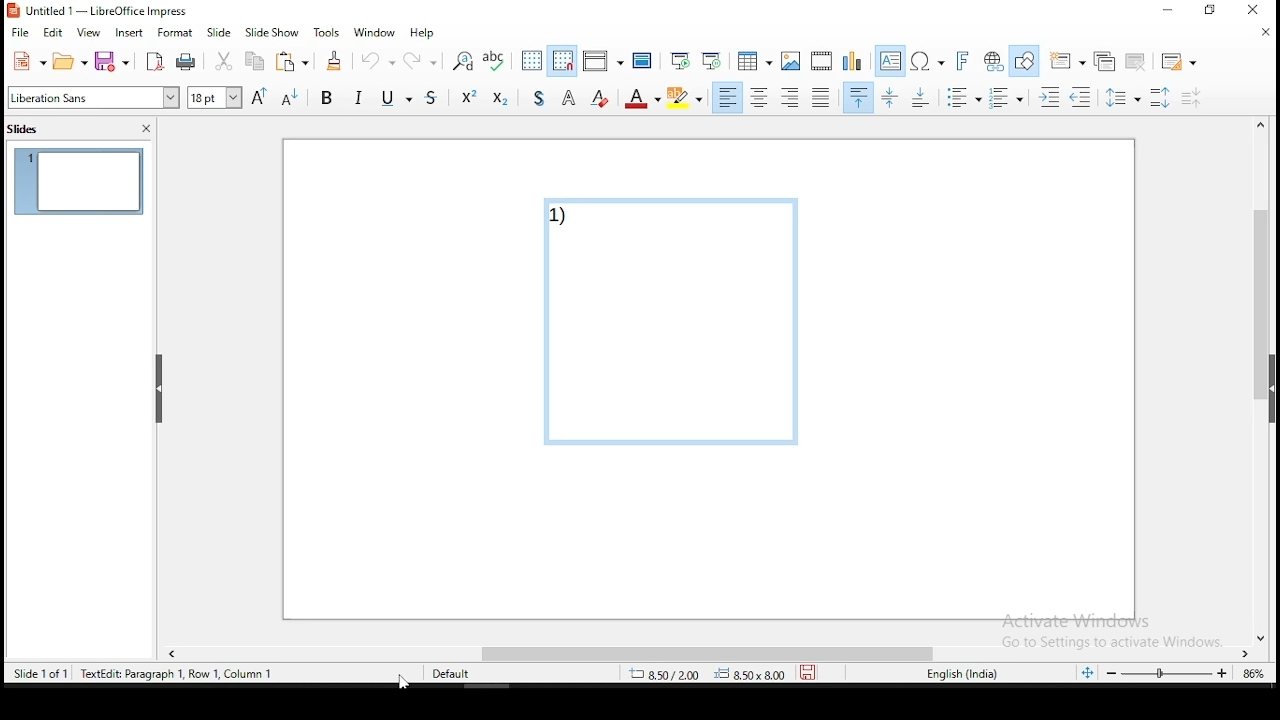 The width and height of the screenshot is (1280, 720). Describe the element at coordinates (644, 63) in the screenshot. I see `master slide` at that location.